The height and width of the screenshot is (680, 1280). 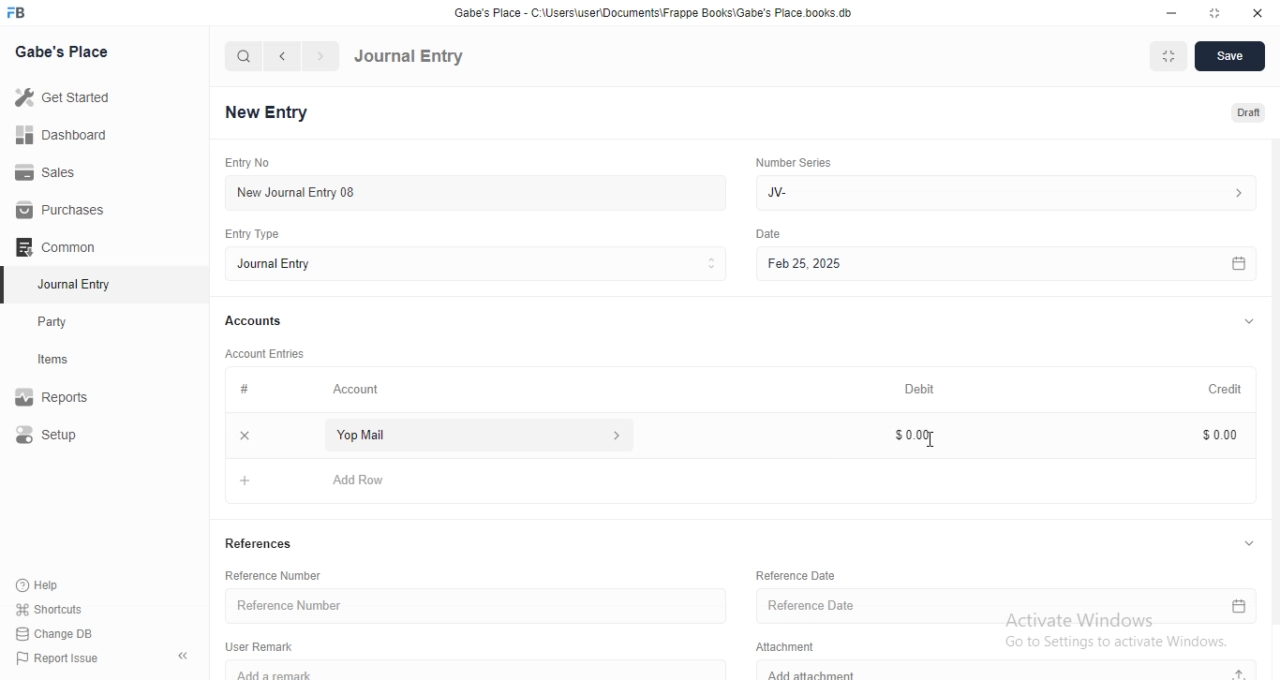 What do you see at coordinates (255, 322) in the screenshot?
I see `Accounts` at bounding box center [255, 322].